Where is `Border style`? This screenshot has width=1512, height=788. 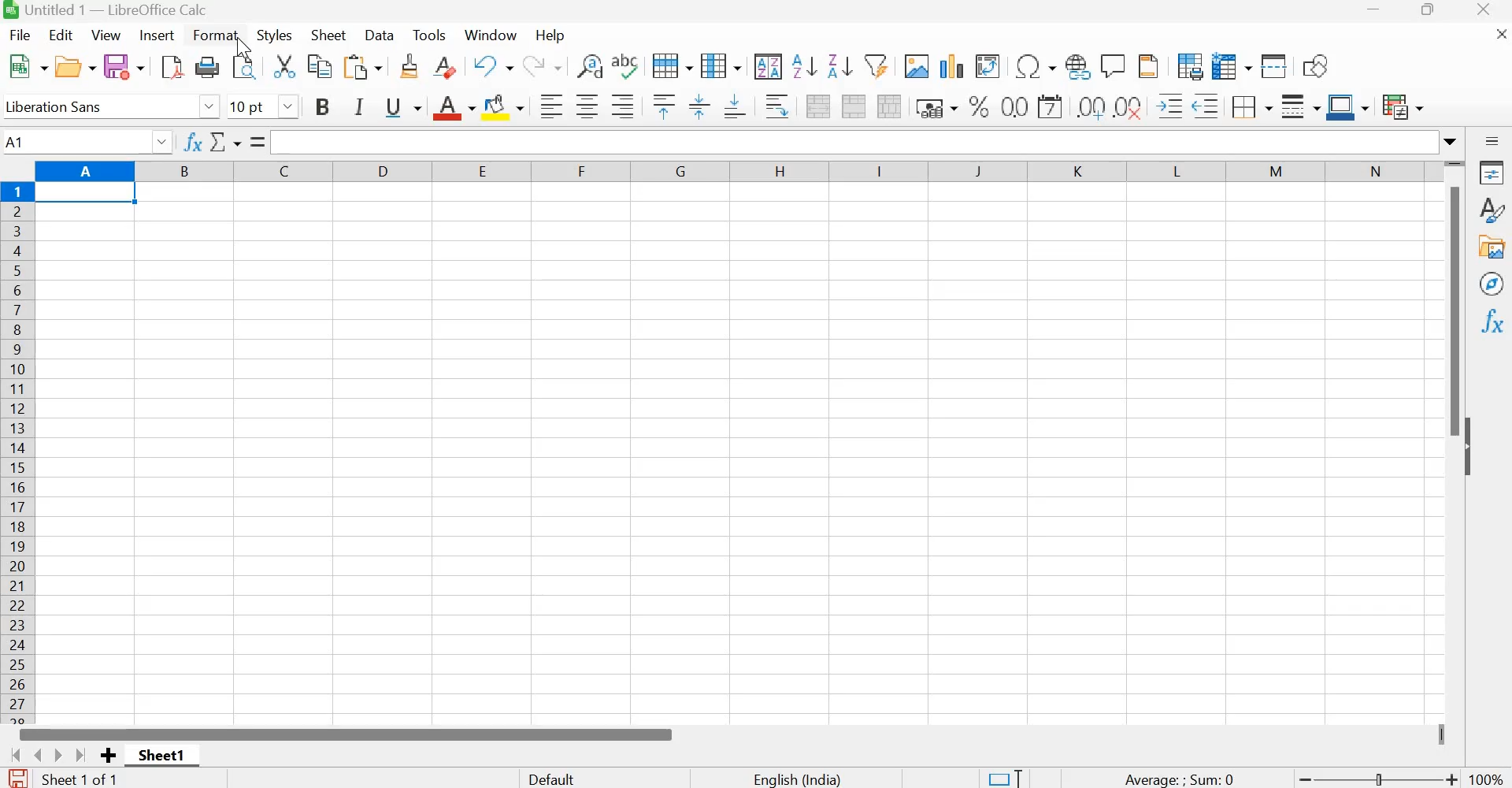 Border style is located at coordinates (1299, 106).